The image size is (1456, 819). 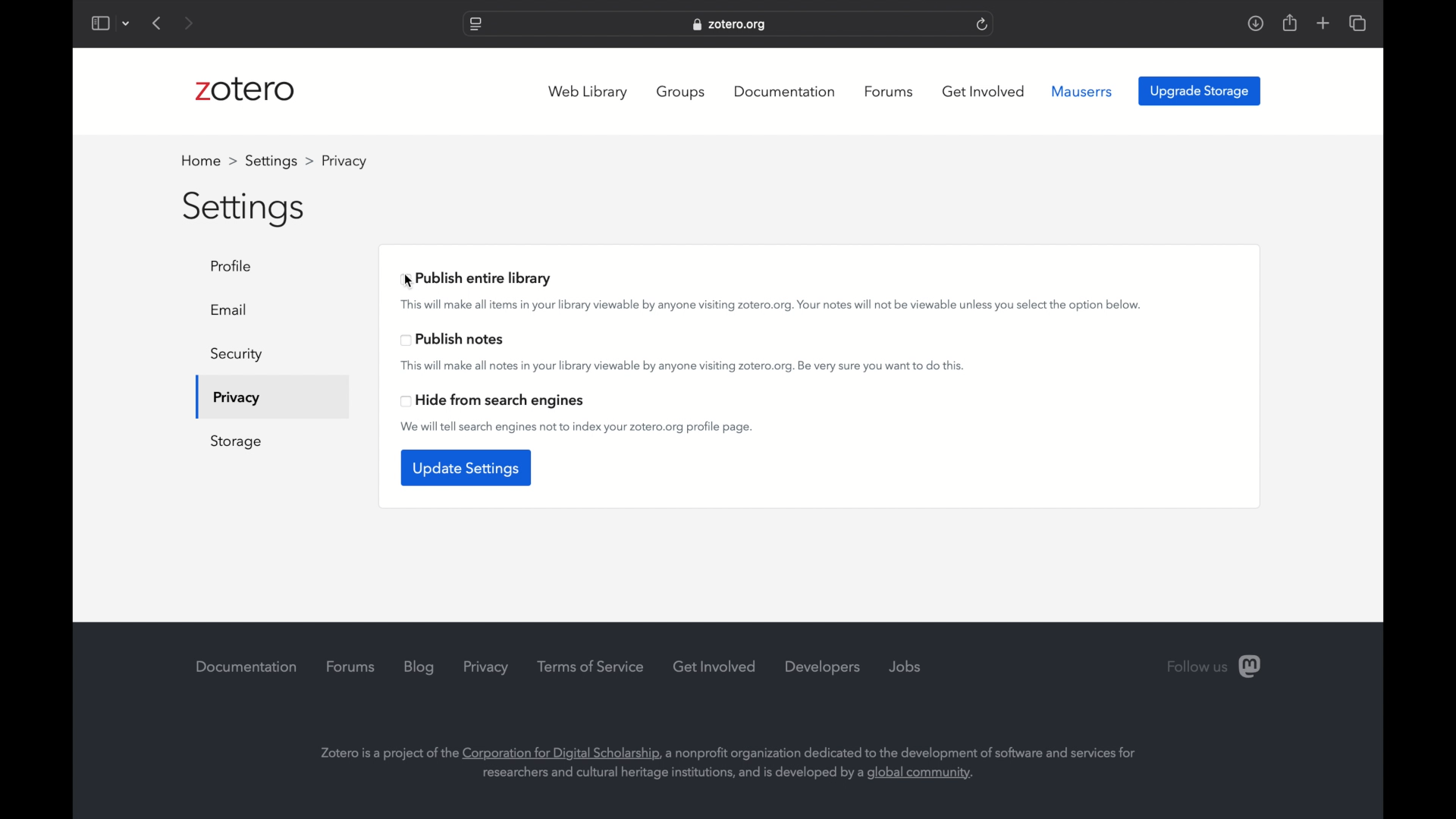 I want to click on settings, so click(x=281, y=161).